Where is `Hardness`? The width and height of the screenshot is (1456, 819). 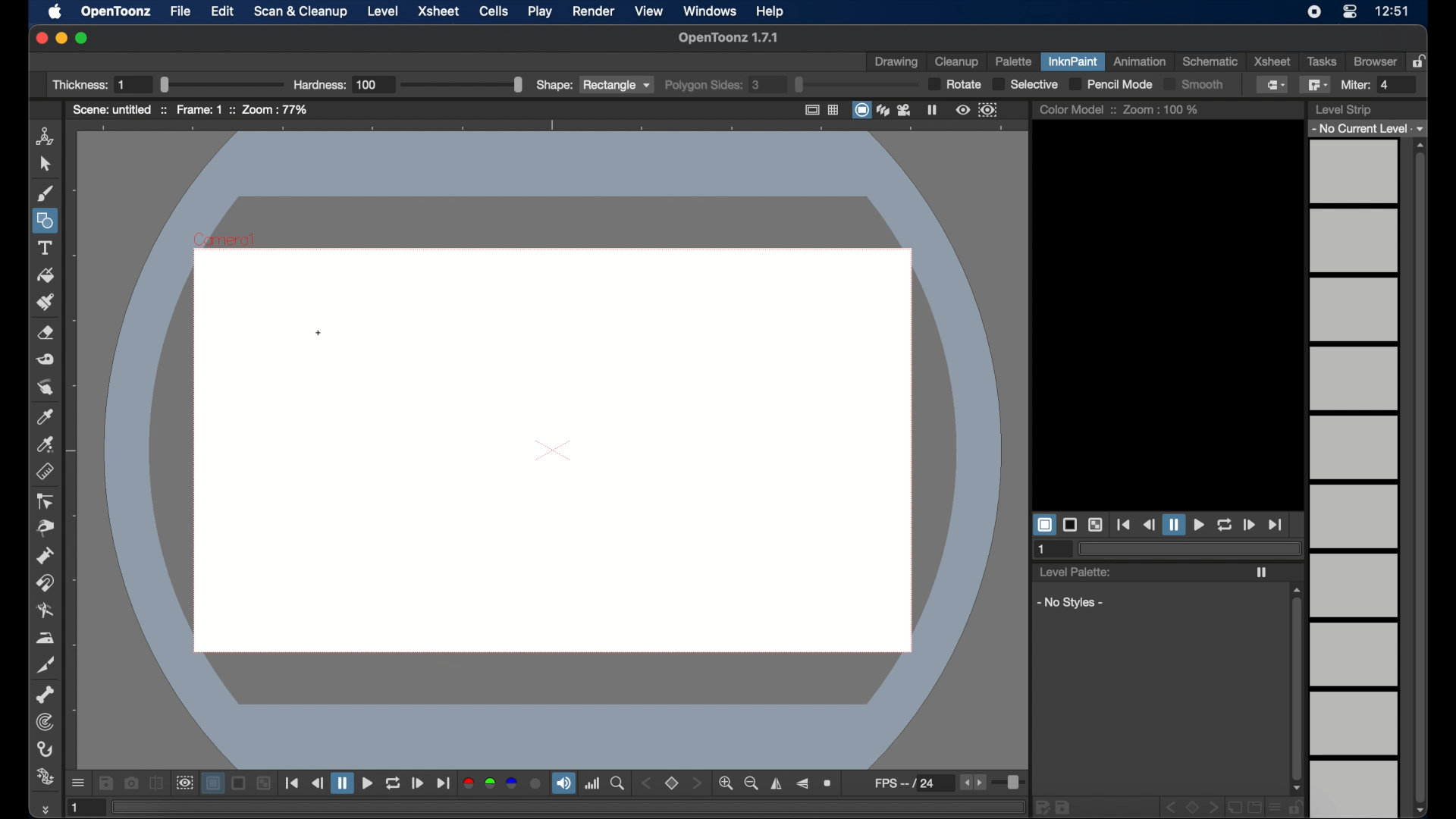
Hardness is located at coordinates (407, 84).